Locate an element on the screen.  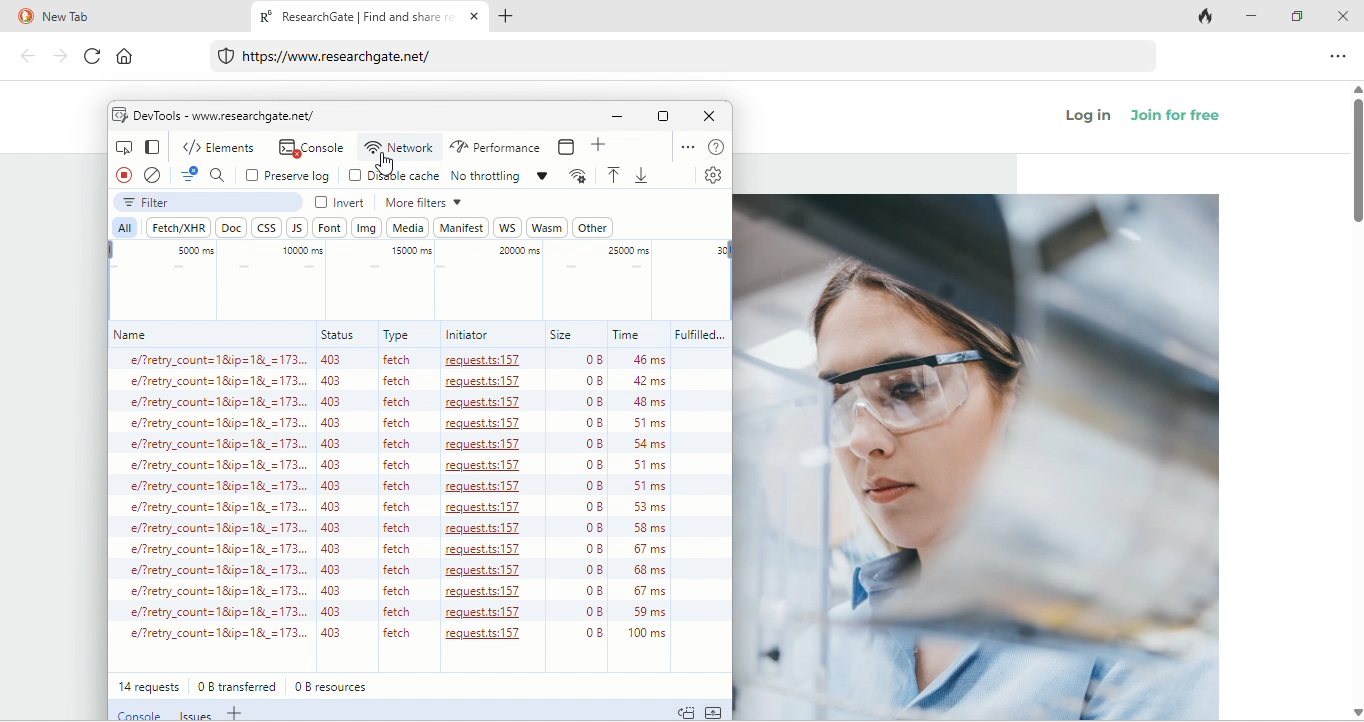
join for free is located at coordinates (1187, 120).